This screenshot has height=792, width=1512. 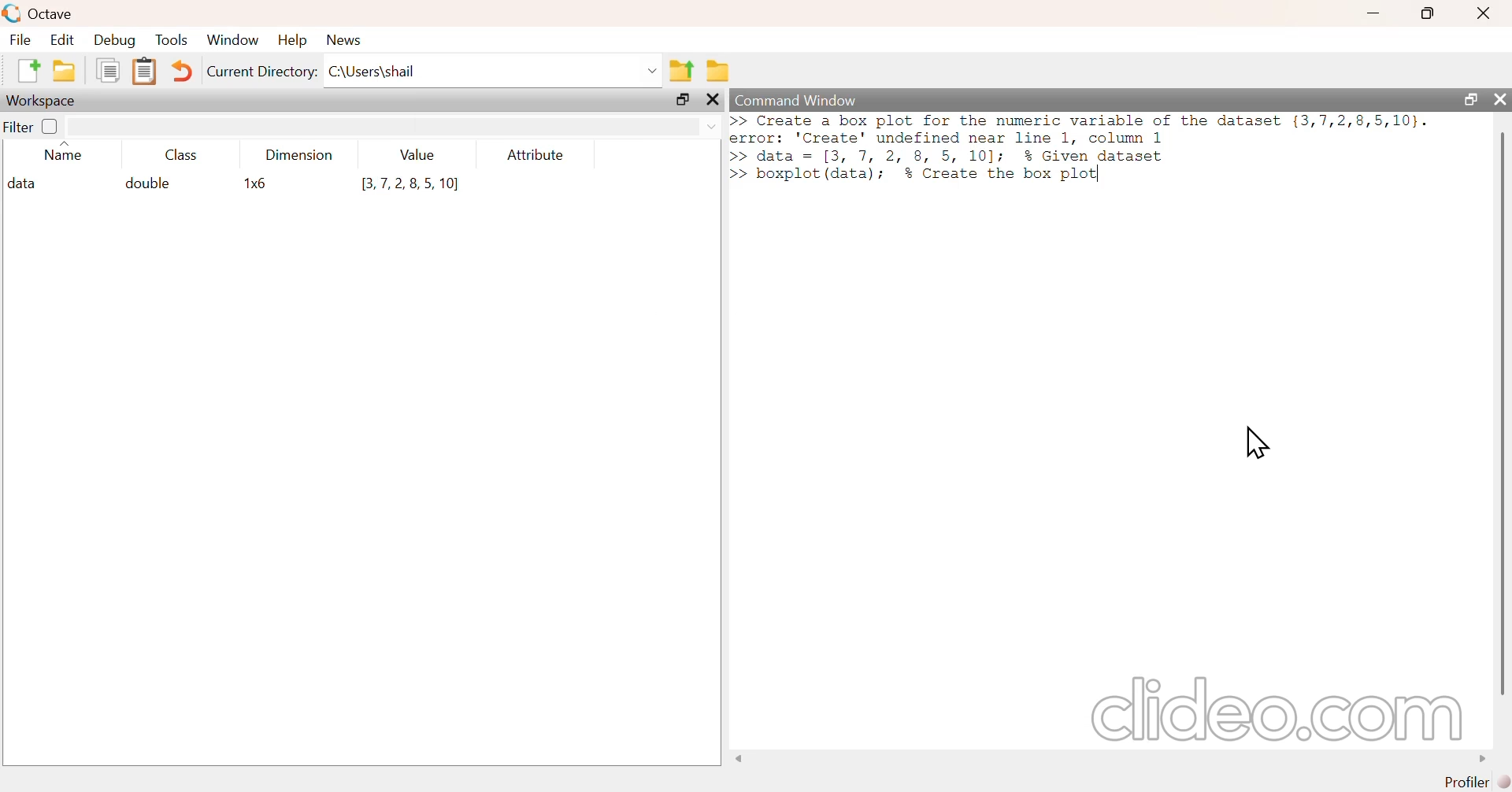 I want to click on file, so click(x=19, y=39).